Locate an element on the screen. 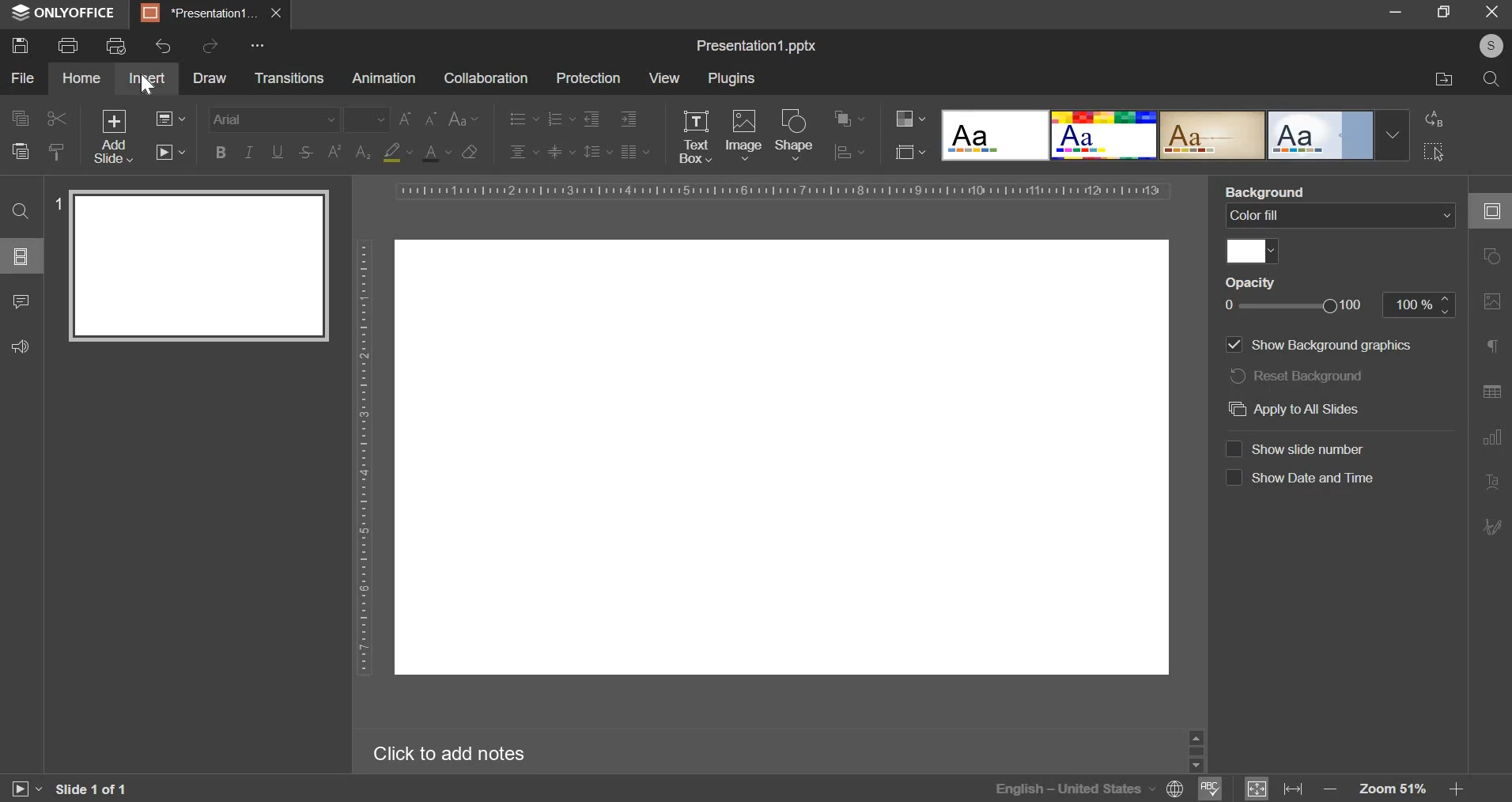  strikethrough is located at coordinates (305, 153).